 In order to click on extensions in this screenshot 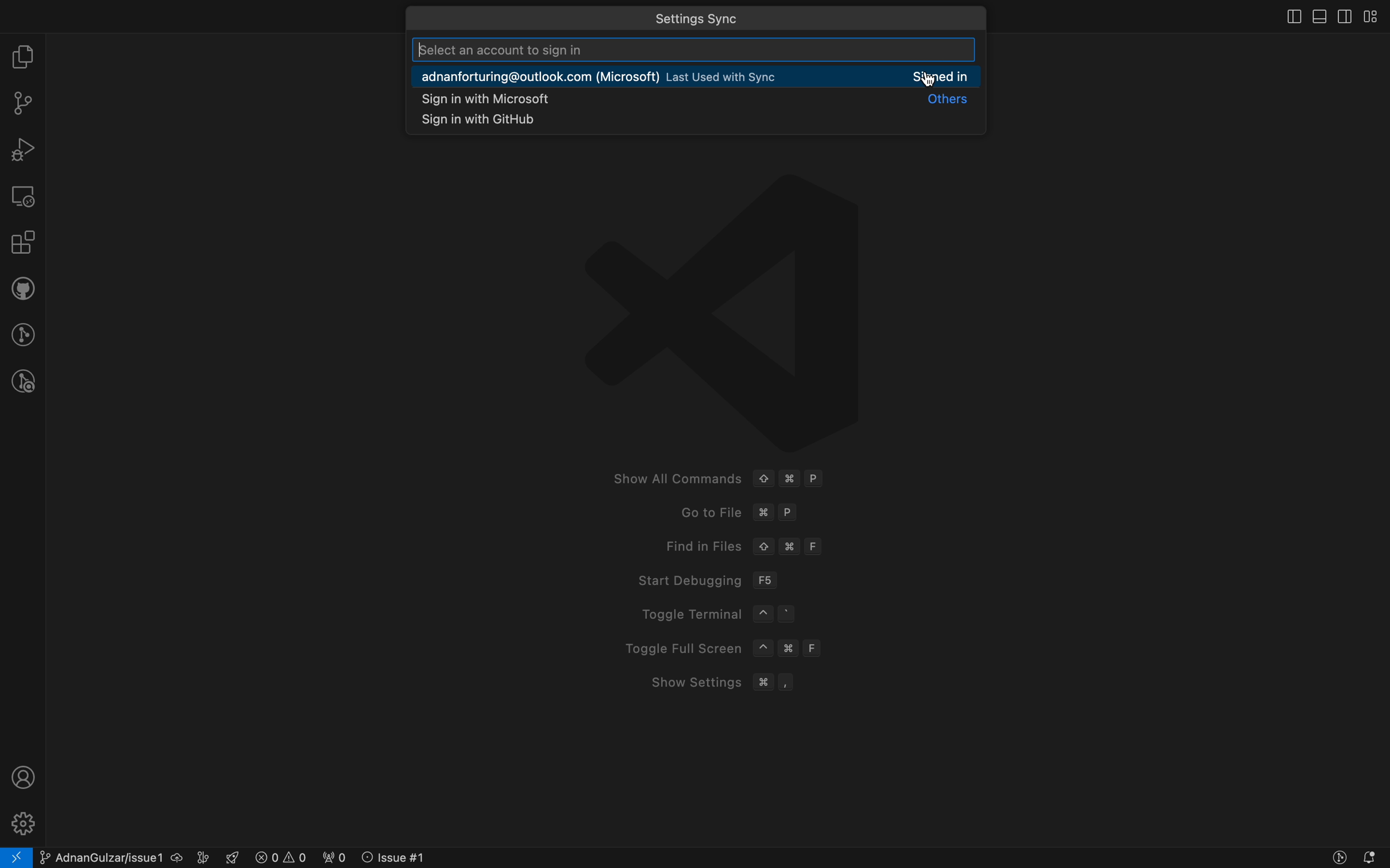, I will do `click(21, 243)`.